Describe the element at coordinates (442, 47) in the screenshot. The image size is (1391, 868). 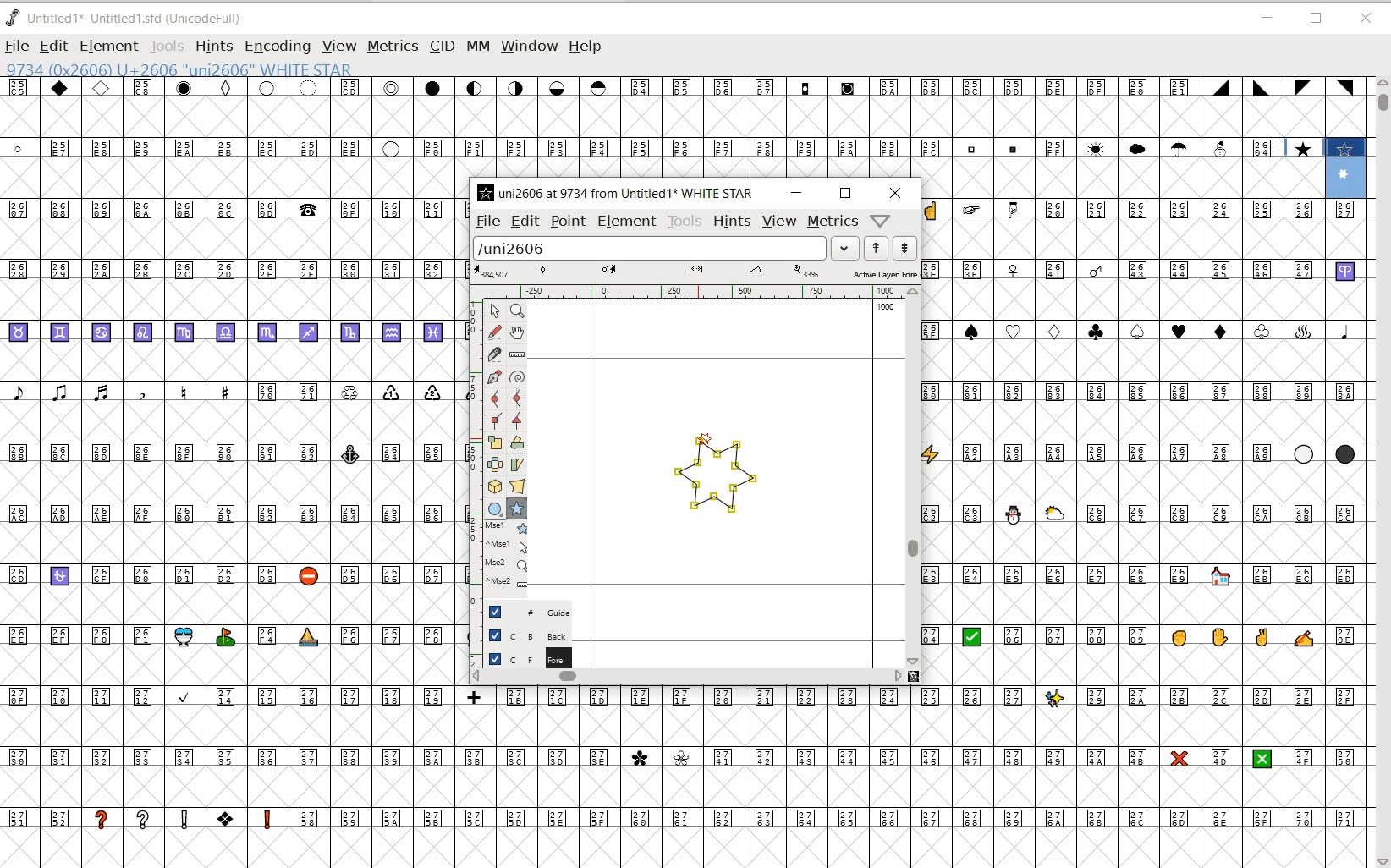
I see `CID` at that location.